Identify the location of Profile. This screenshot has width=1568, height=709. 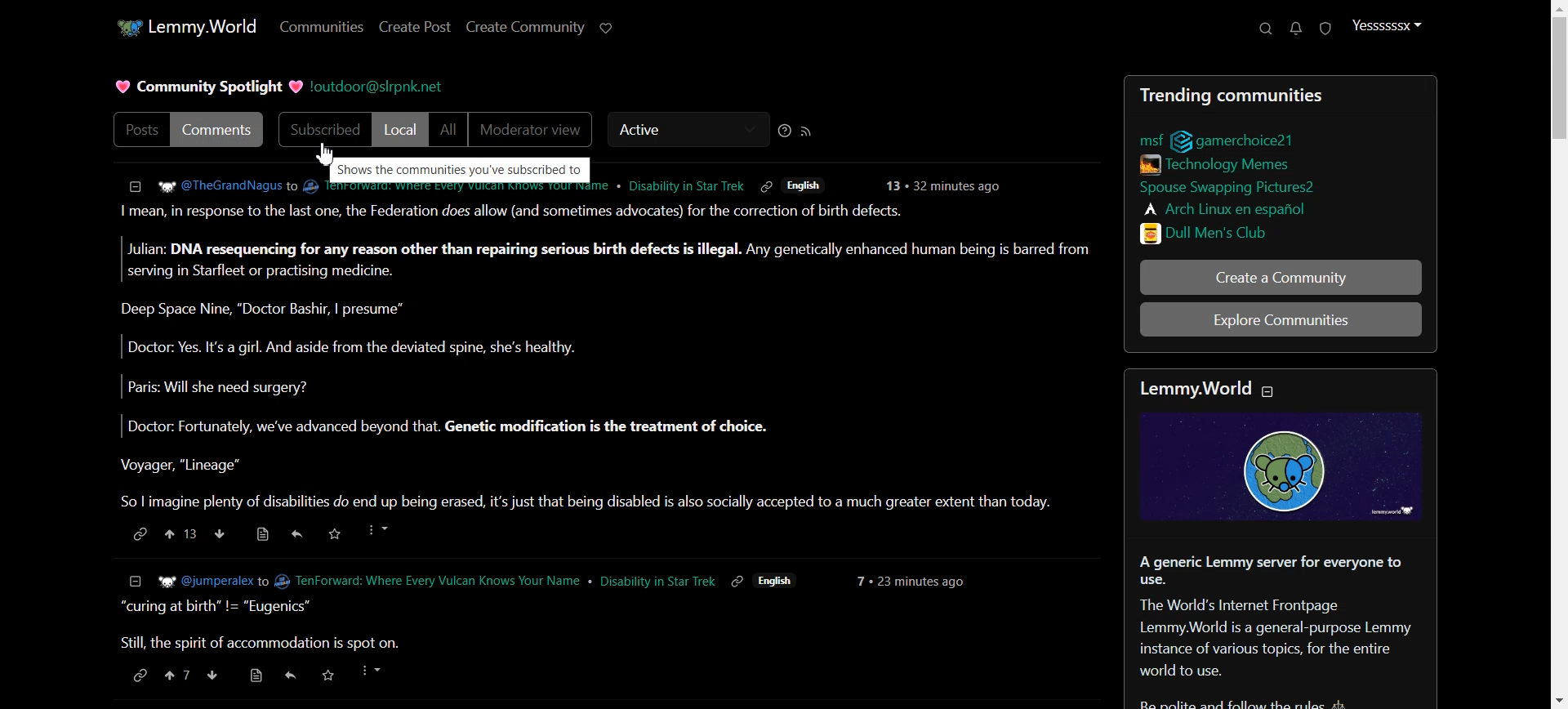
(1386, 25).